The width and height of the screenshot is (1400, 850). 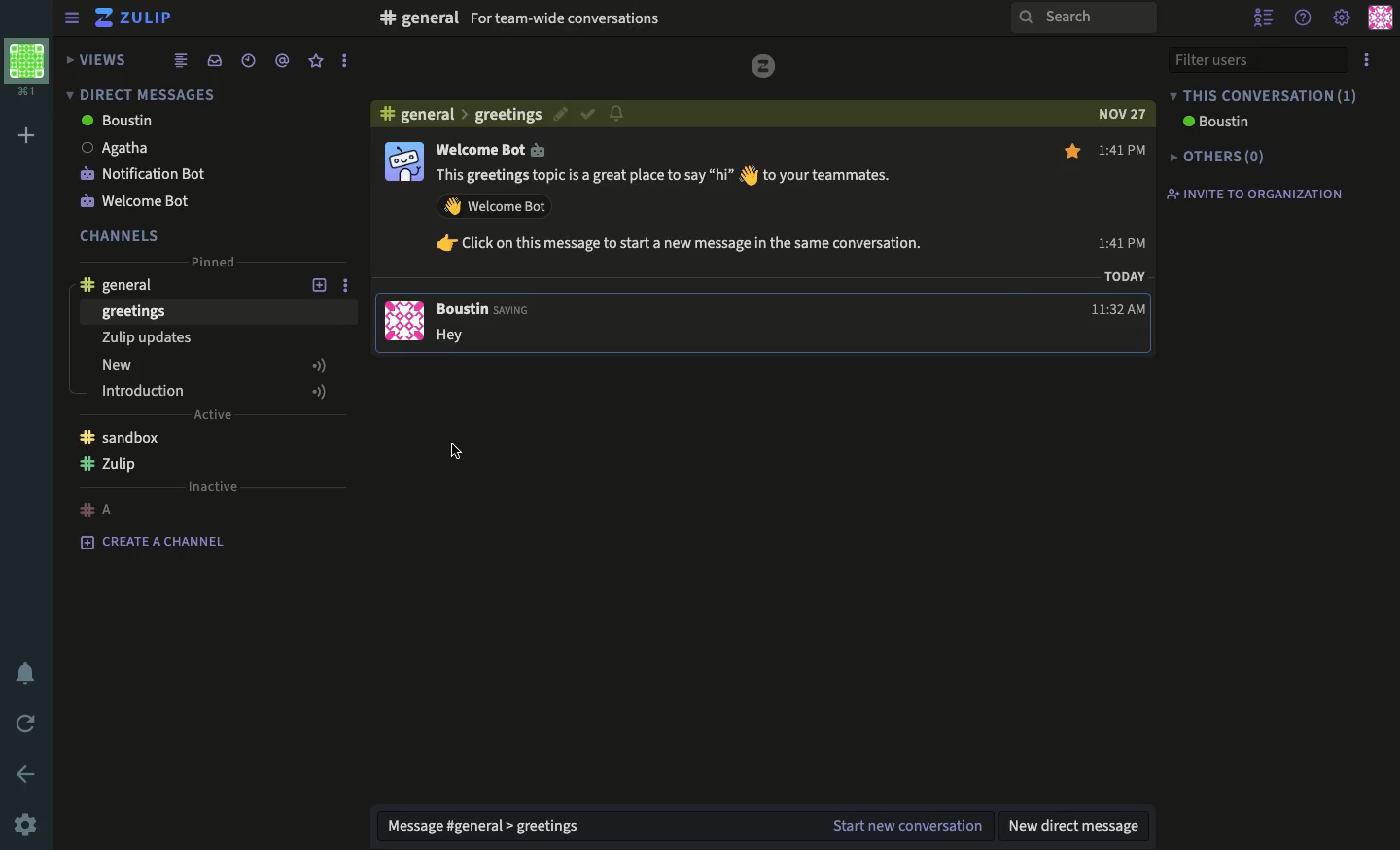 What do you see at coordinates (24, 675) in the screenshot?
I see `notification` at bounding box center [24, 675].